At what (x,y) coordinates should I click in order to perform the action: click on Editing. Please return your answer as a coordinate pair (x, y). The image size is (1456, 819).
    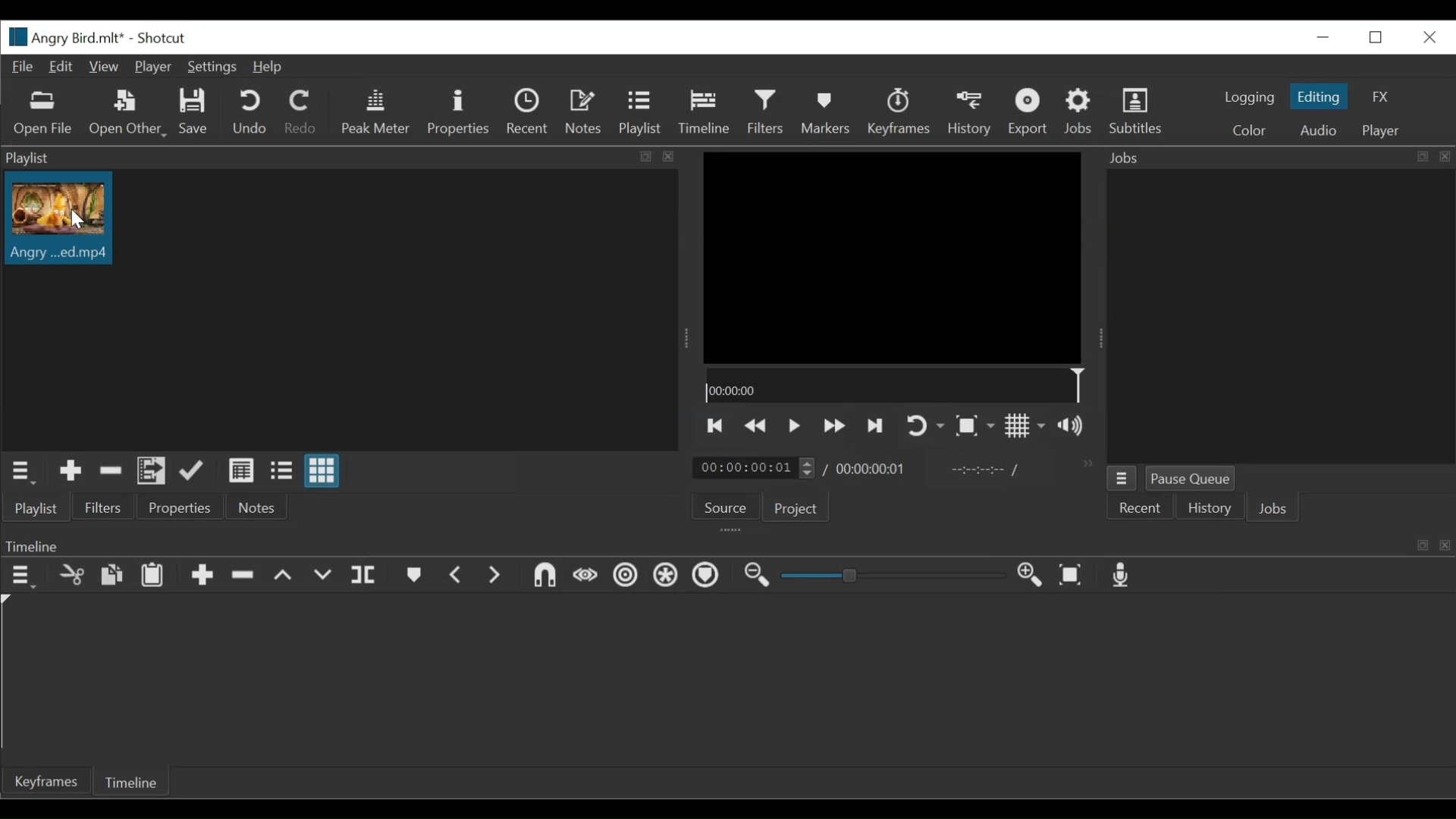
    Looking at the image, I should click on (1319, 96).